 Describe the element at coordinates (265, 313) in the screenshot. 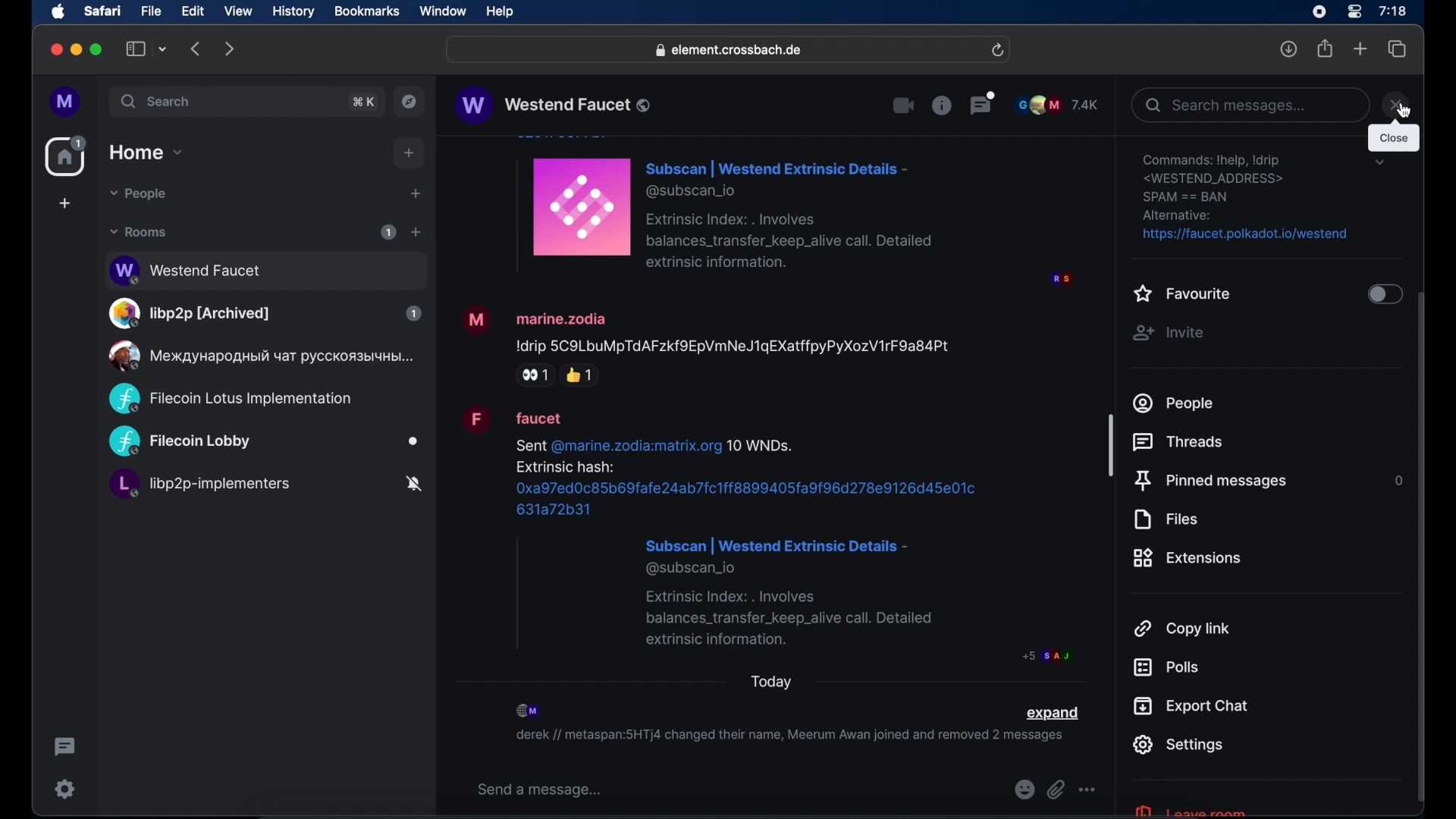

I see `public room` at that location.